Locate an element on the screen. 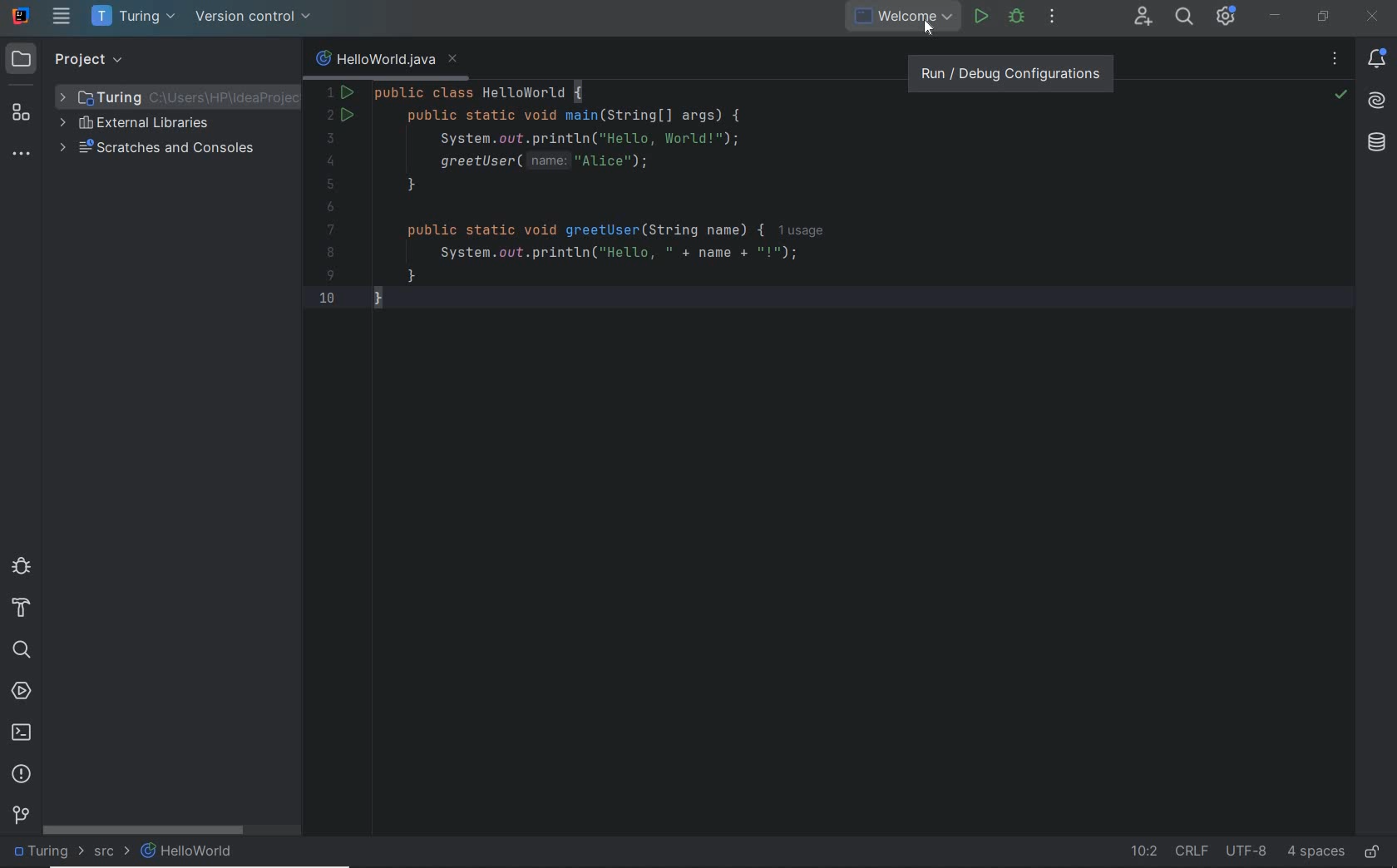 The width and height of the screenshot is (1397, 868). search is located at coordinates (21, 650).